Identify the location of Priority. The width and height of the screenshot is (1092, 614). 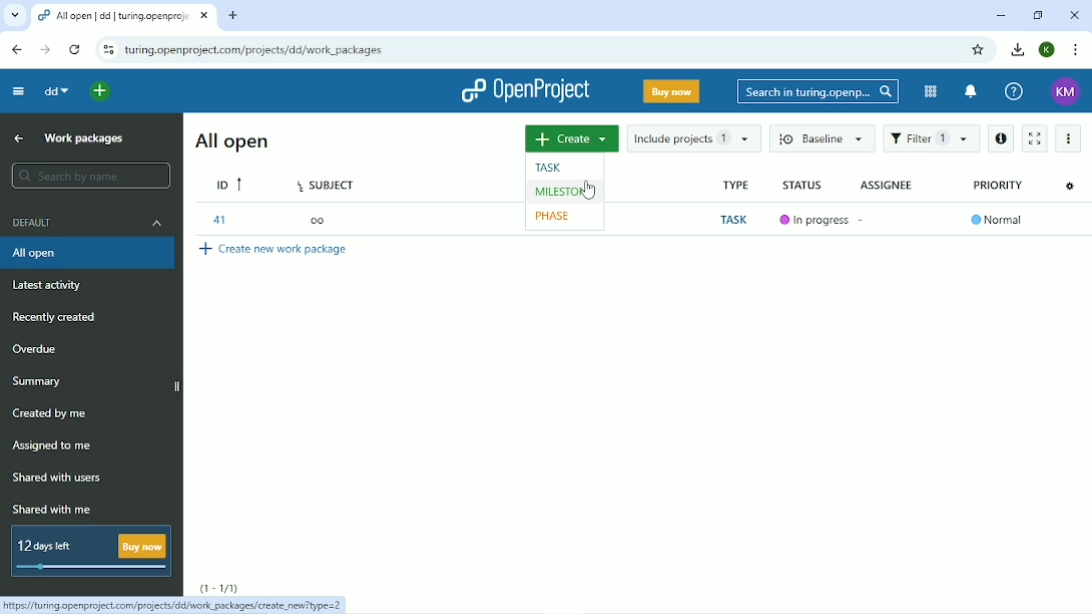
(997, 184).